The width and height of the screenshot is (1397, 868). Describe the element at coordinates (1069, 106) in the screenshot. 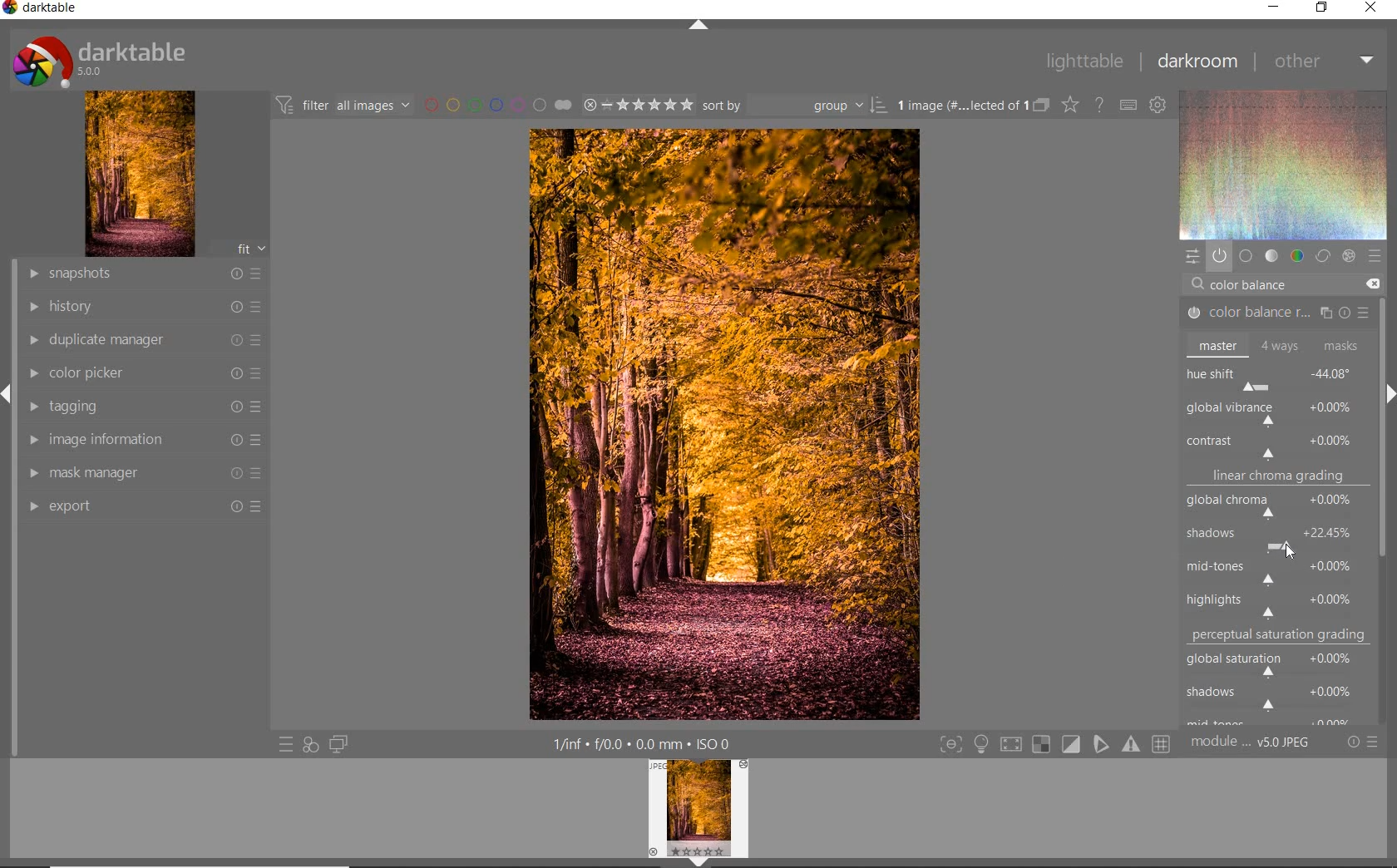

I see `change type of overlay` at that location.